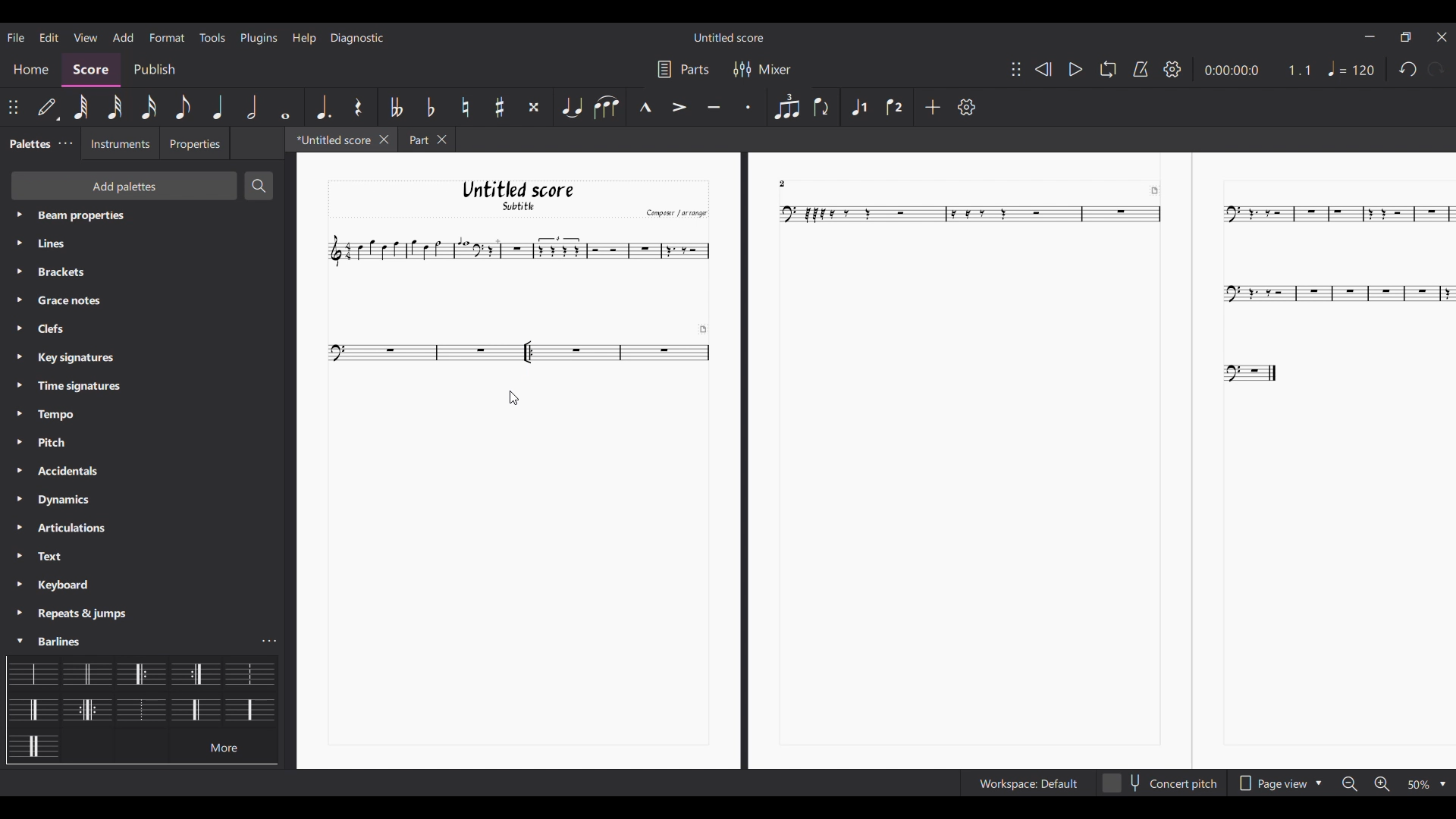 The height and width of the screenshot is (819, 1456). Describe the element at coordinates (55, 498) in the screenshot. I see `Palette settings` at that location.